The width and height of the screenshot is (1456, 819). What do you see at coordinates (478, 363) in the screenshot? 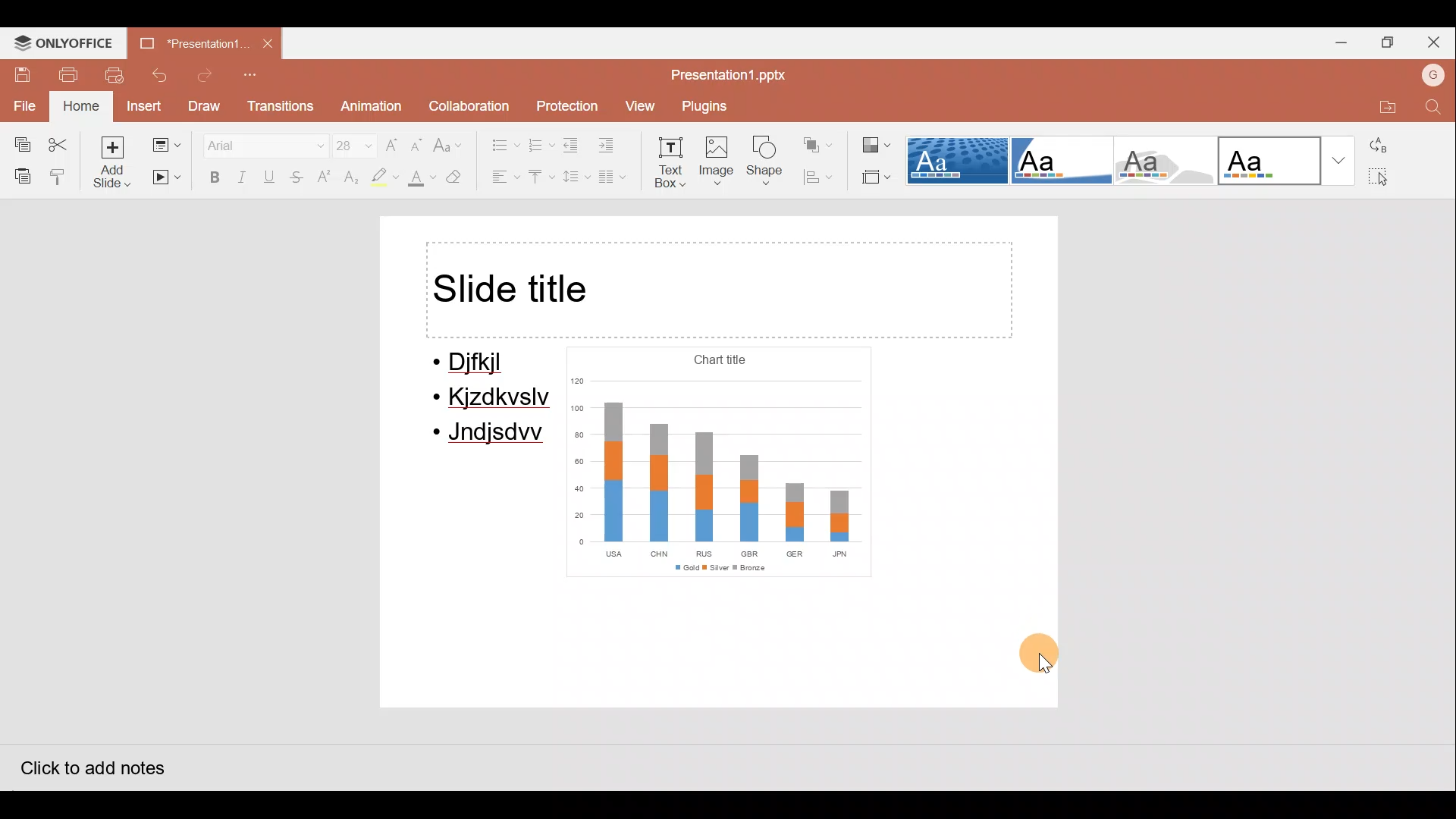
I see `Djfkjl` at bounding box center [478, 363].